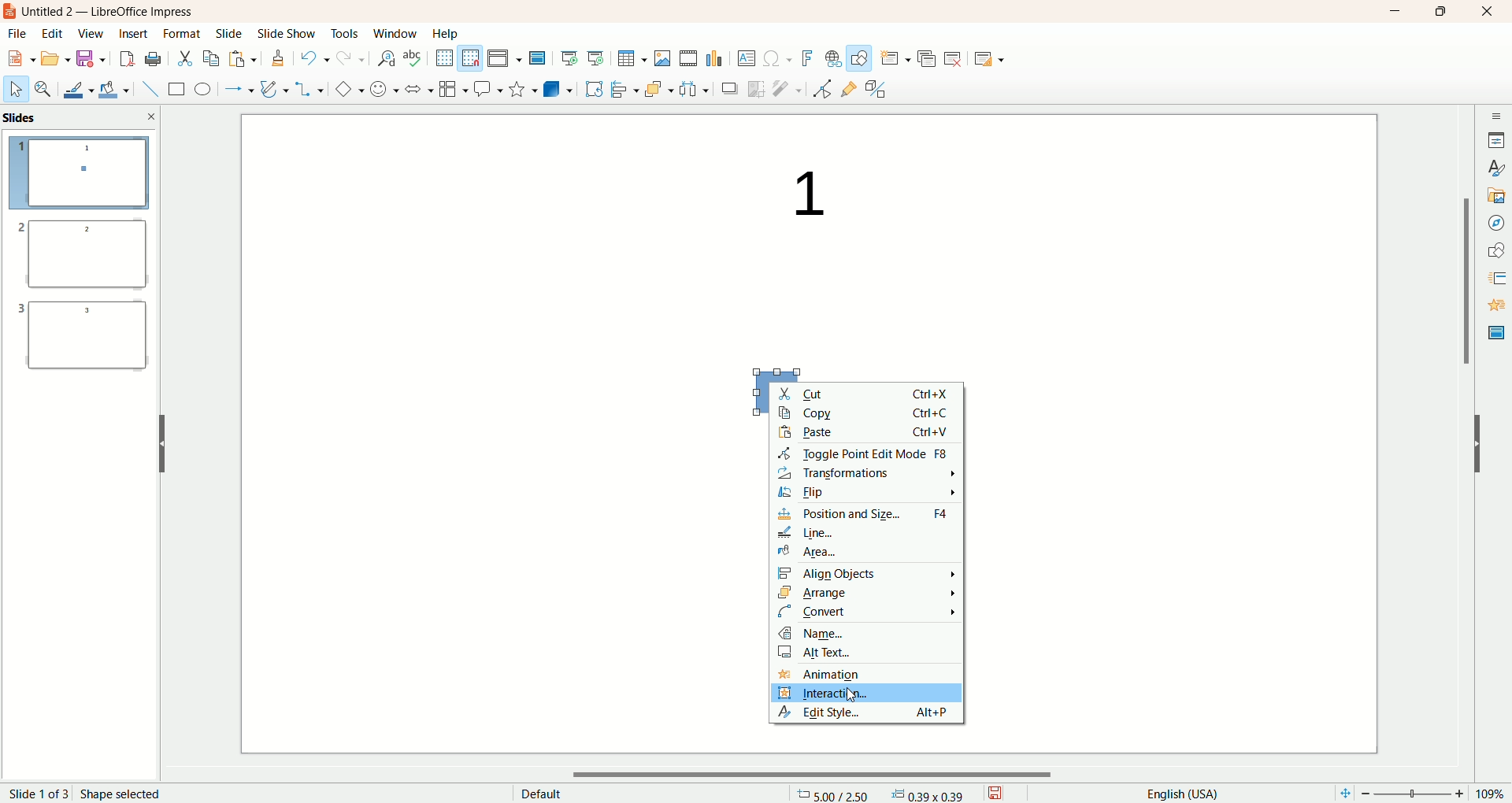  I want to click on find and replace, so click(384, 60).